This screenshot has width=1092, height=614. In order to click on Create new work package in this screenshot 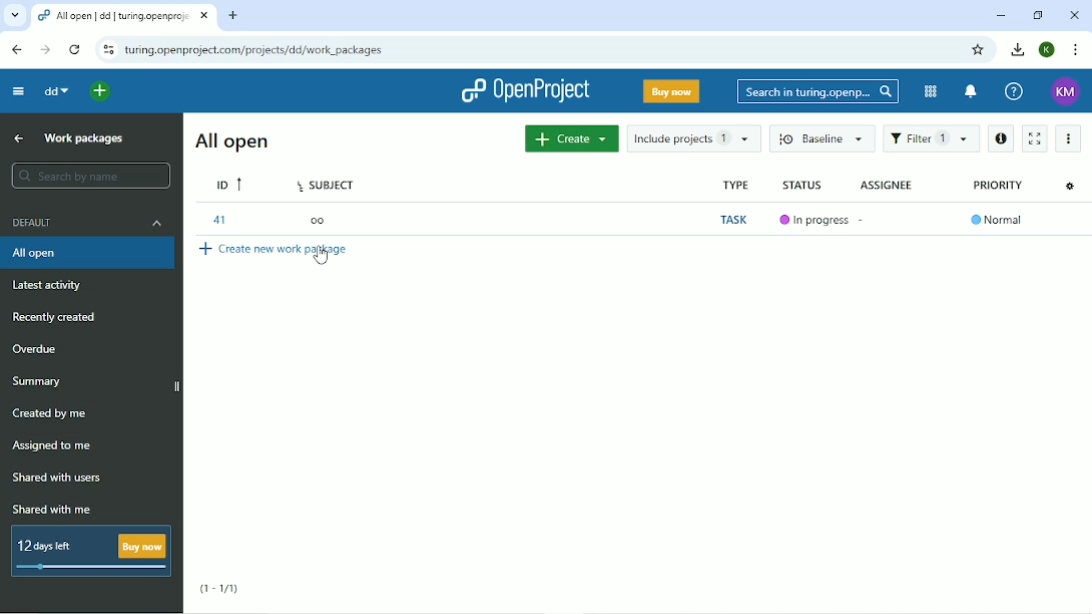, I will do `click(277, 251)`.